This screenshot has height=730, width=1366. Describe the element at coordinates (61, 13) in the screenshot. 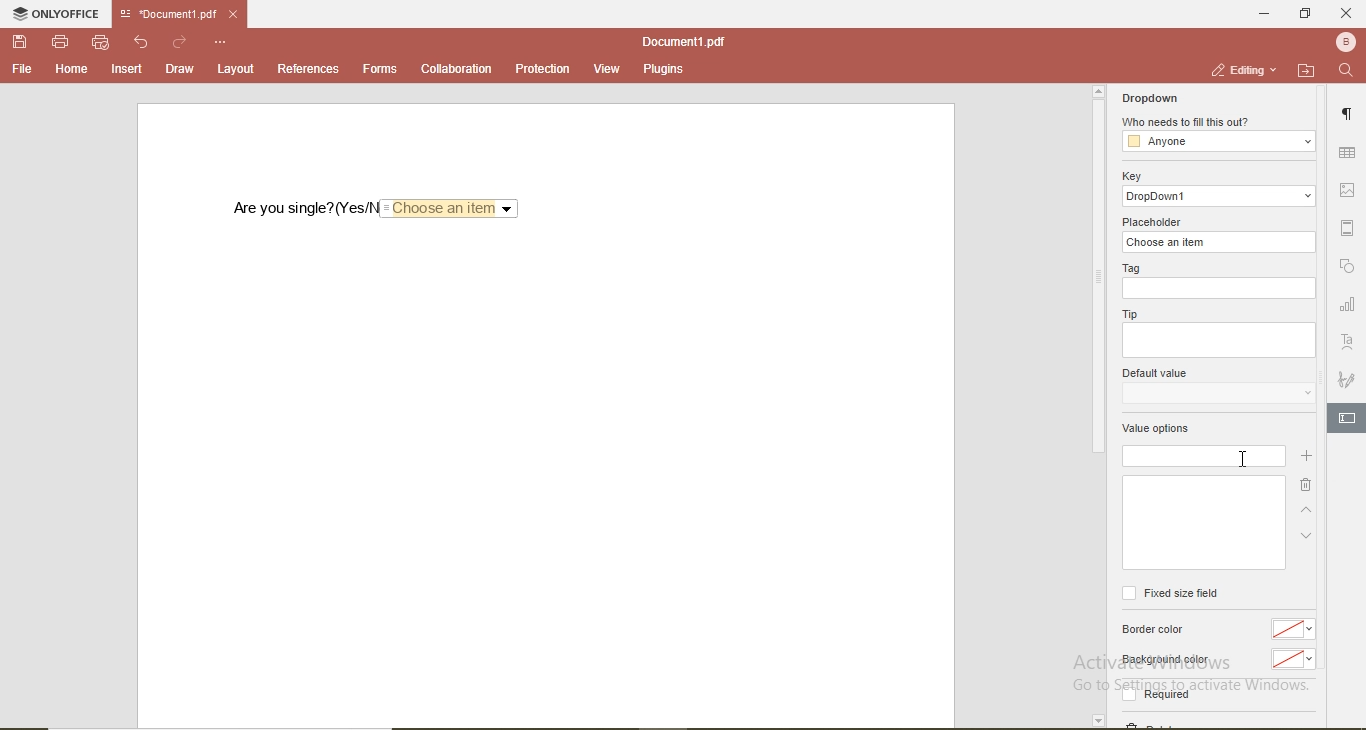

I see `onlyoffice` at that location.